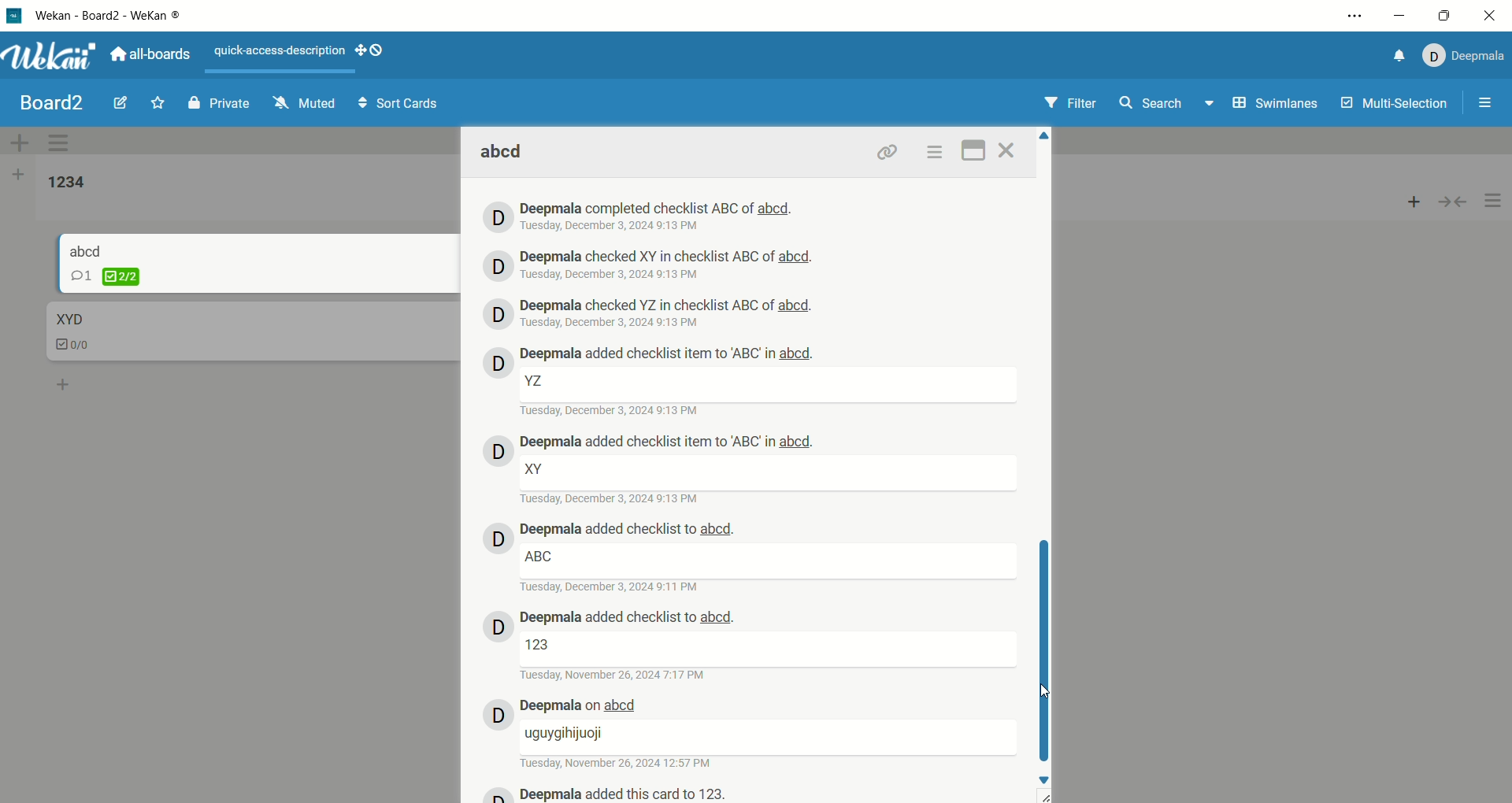 The width and height of the screenshot is (1512, 803). What do you see at coordinates (628, 619) in the screenshot?
I see `deepmala history` at bounding box center [628, 619].